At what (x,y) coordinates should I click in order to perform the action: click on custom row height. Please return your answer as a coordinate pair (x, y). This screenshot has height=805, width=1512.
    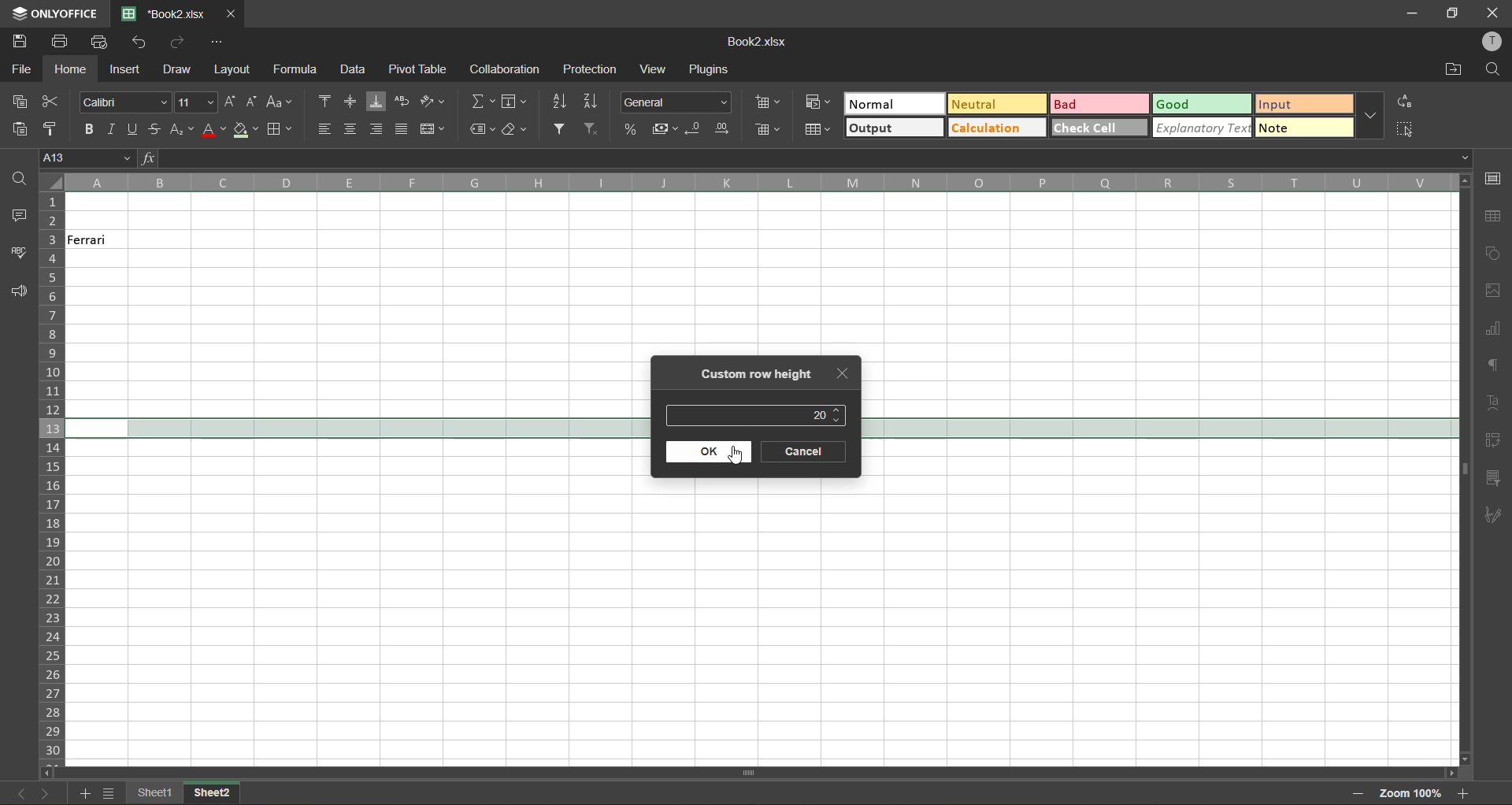
    Looking at the image, I should click on (755, 375).